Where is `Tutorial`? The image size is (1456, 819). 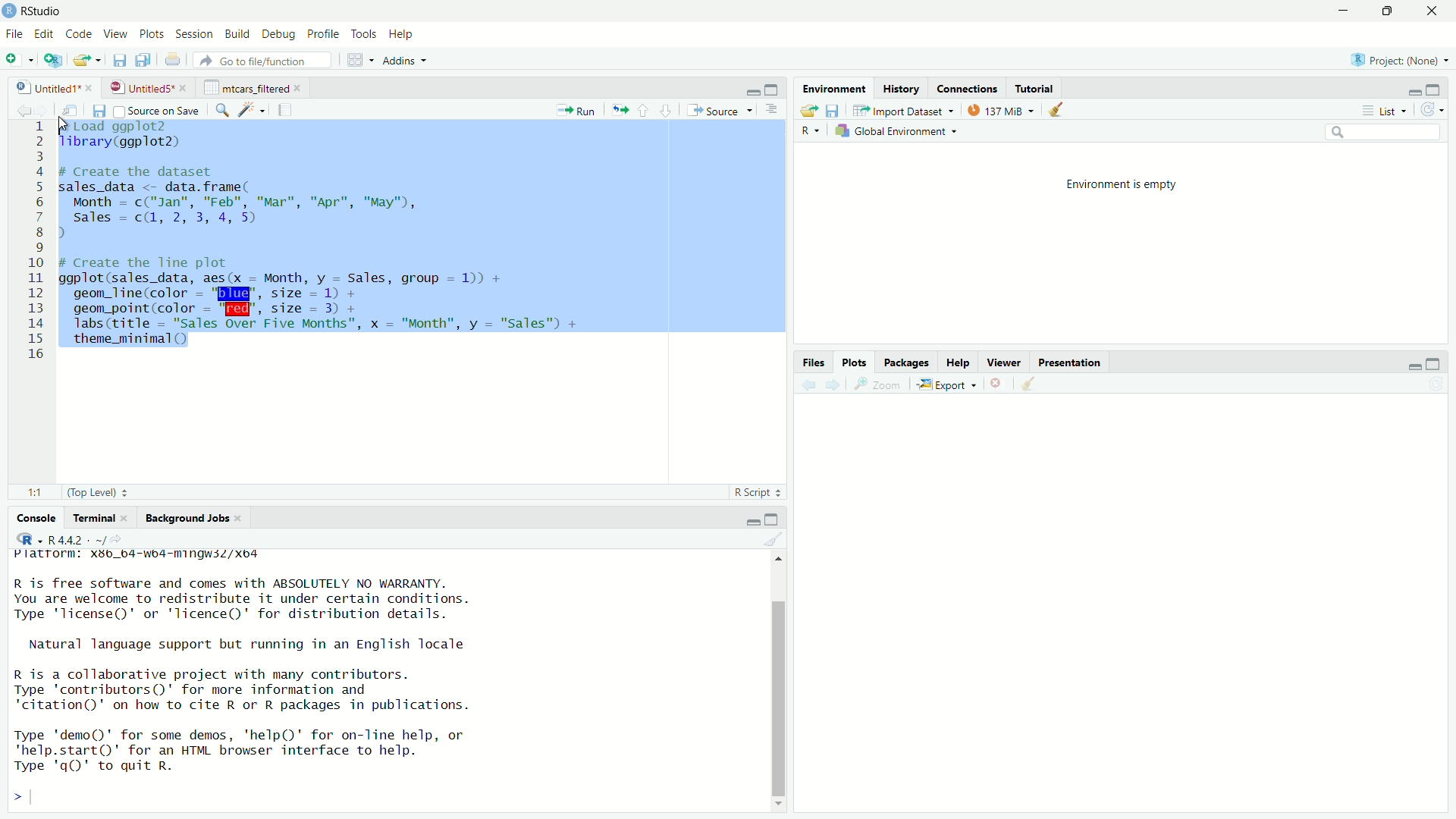
Tutorial is located at coordinates (1035, 89).